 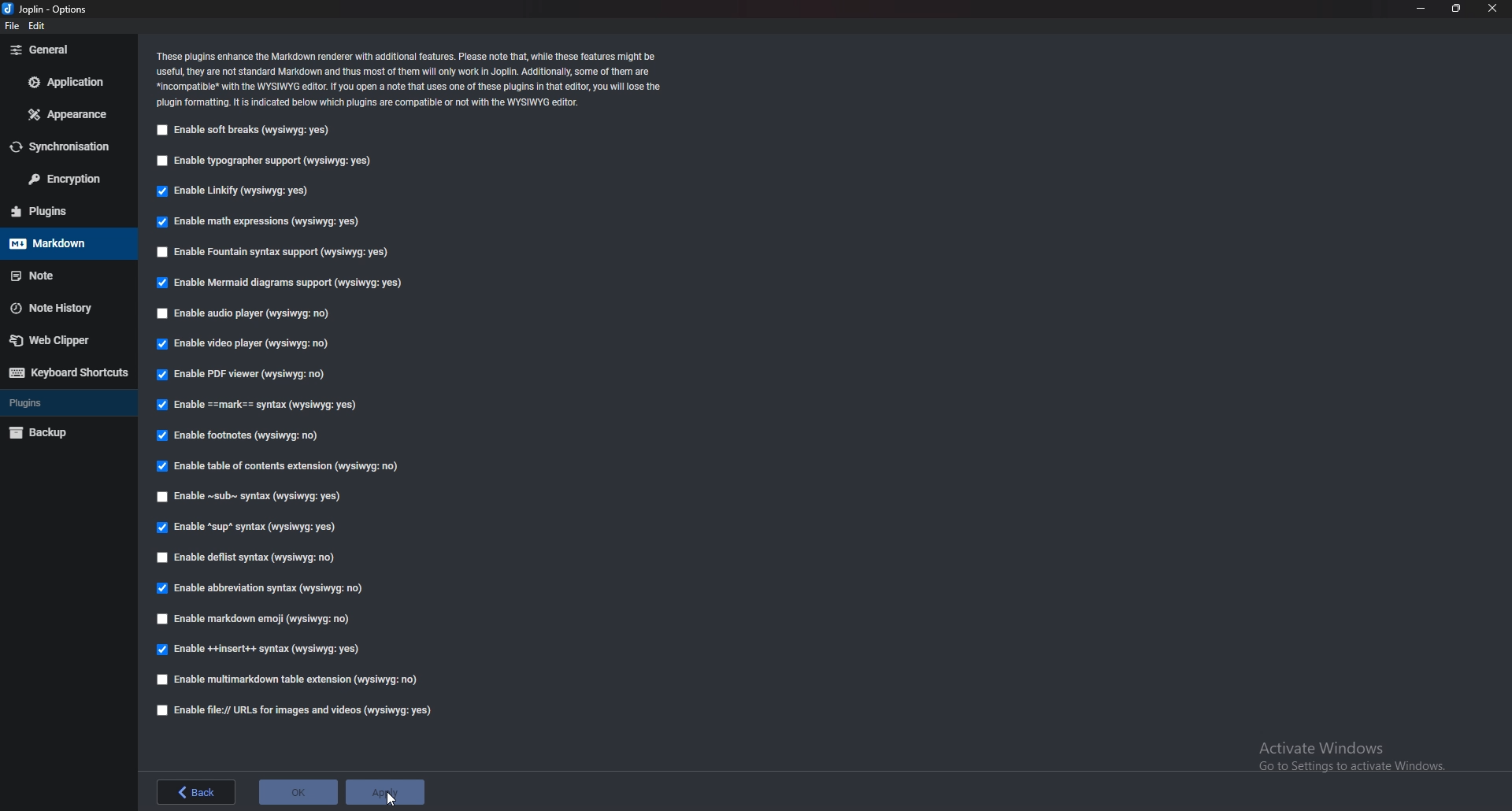 I want to click on Plugins, so click(x=62, y=211).